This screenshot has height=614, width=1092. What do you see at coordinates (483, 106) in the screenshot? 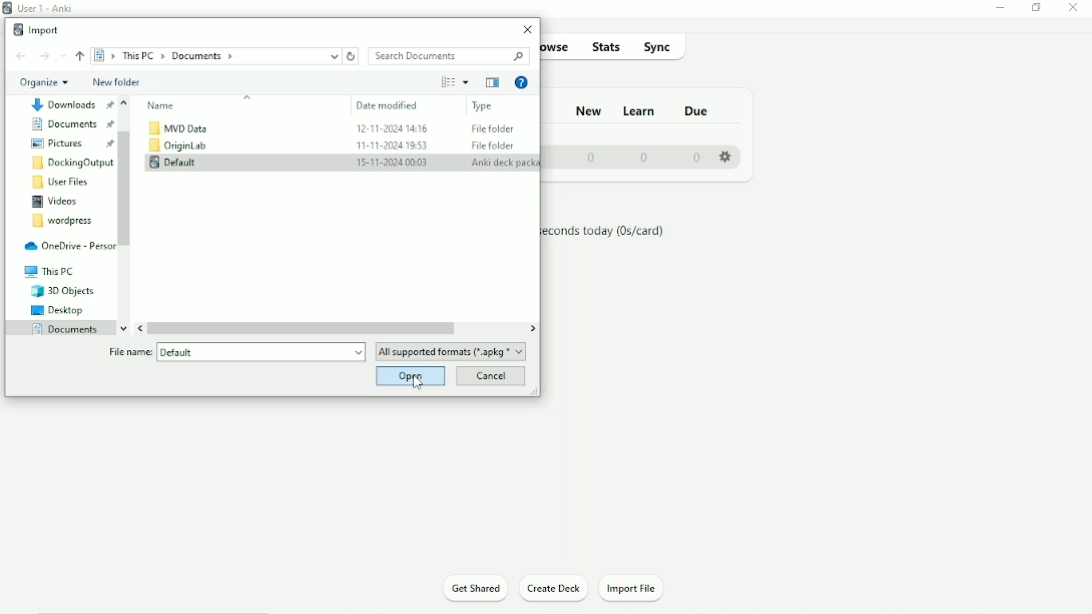
I see `Type` at bounding box center [483, 106].